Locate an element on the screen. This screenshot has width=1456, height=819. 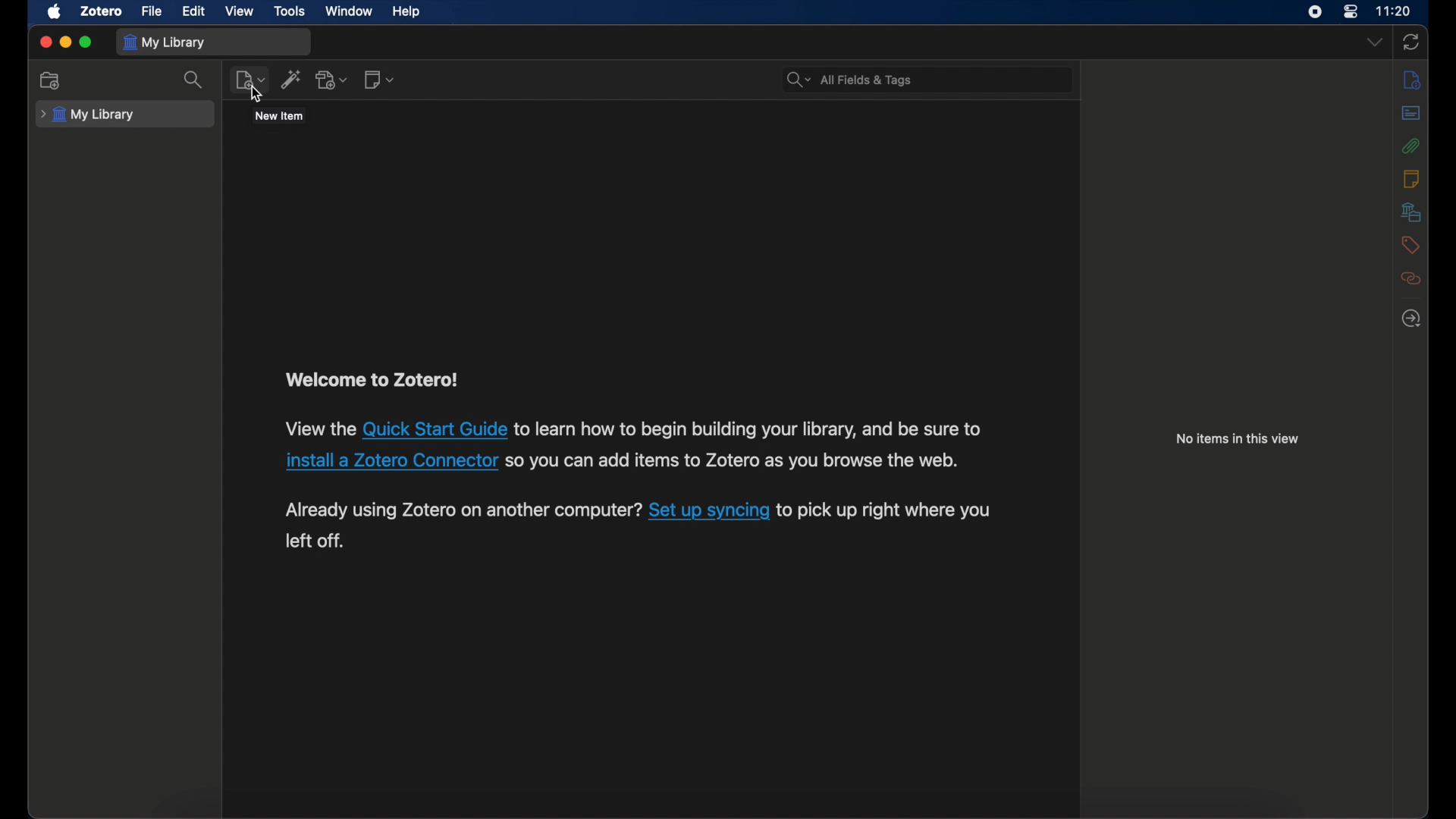
tool tip is located at coordinates (279, 115).